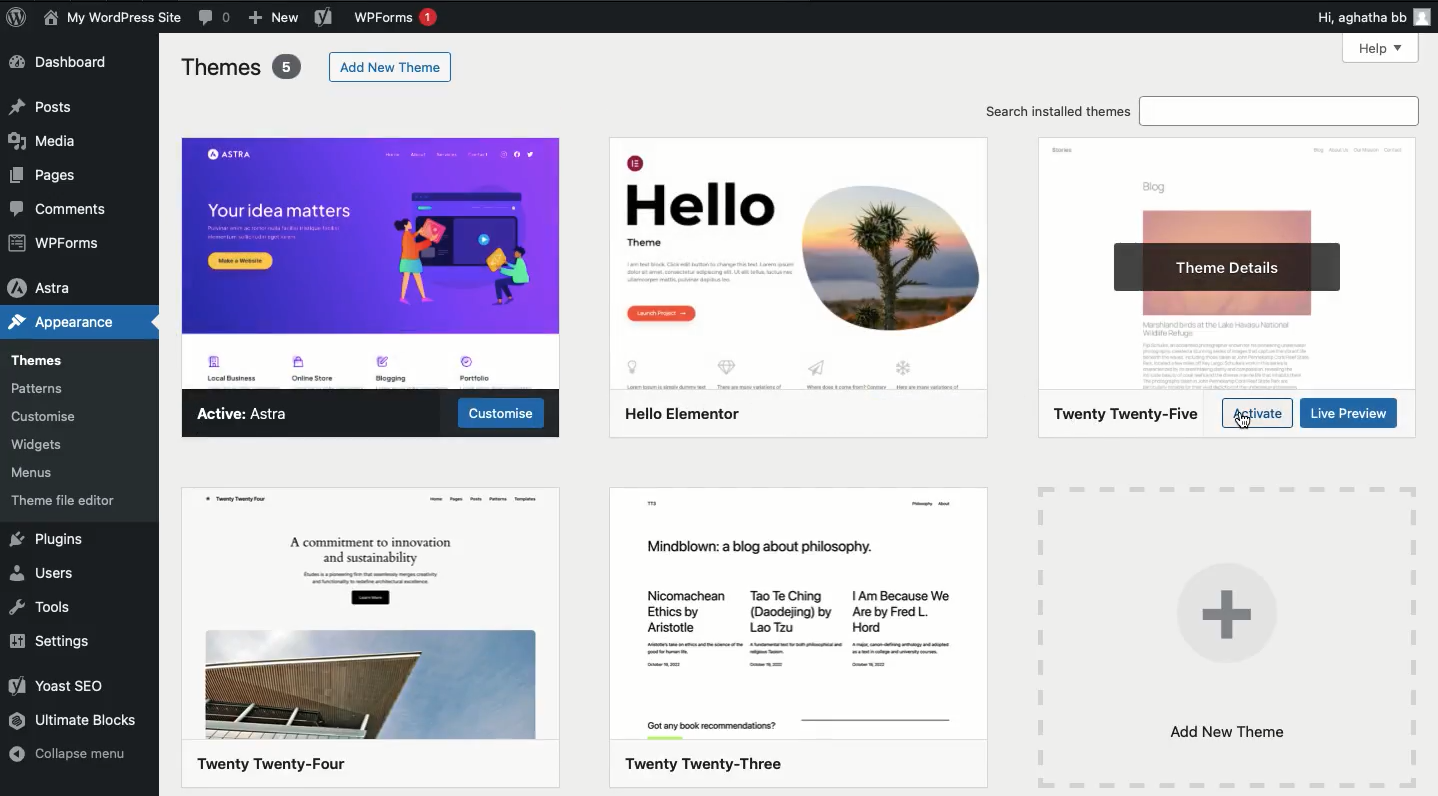 This screenshot has height=796, width=1438. Describe the element at coordinates (1382, 48) in the screenshot. I see `Help` at that location.